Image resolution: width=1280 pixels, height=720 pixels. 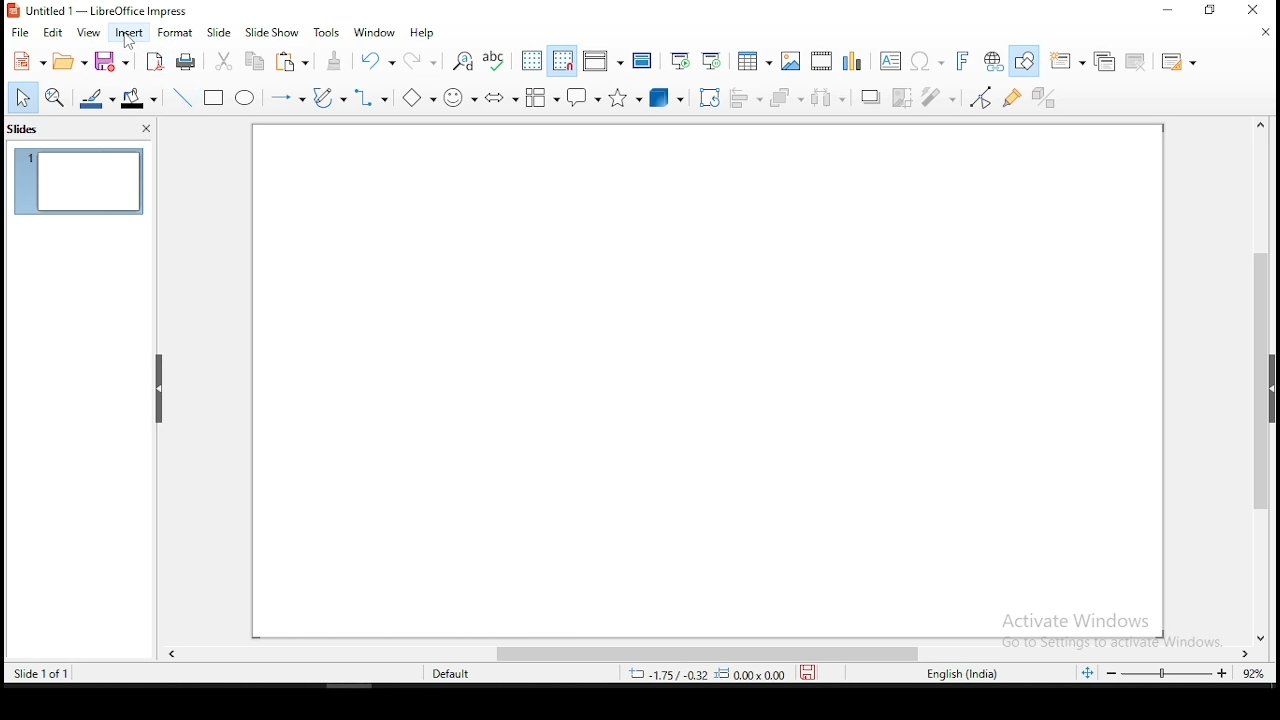 What do you see at coordinates (1015, 96) in the screenshot?
I see `show gluepoint functions` at bounding box center [1015, 96].